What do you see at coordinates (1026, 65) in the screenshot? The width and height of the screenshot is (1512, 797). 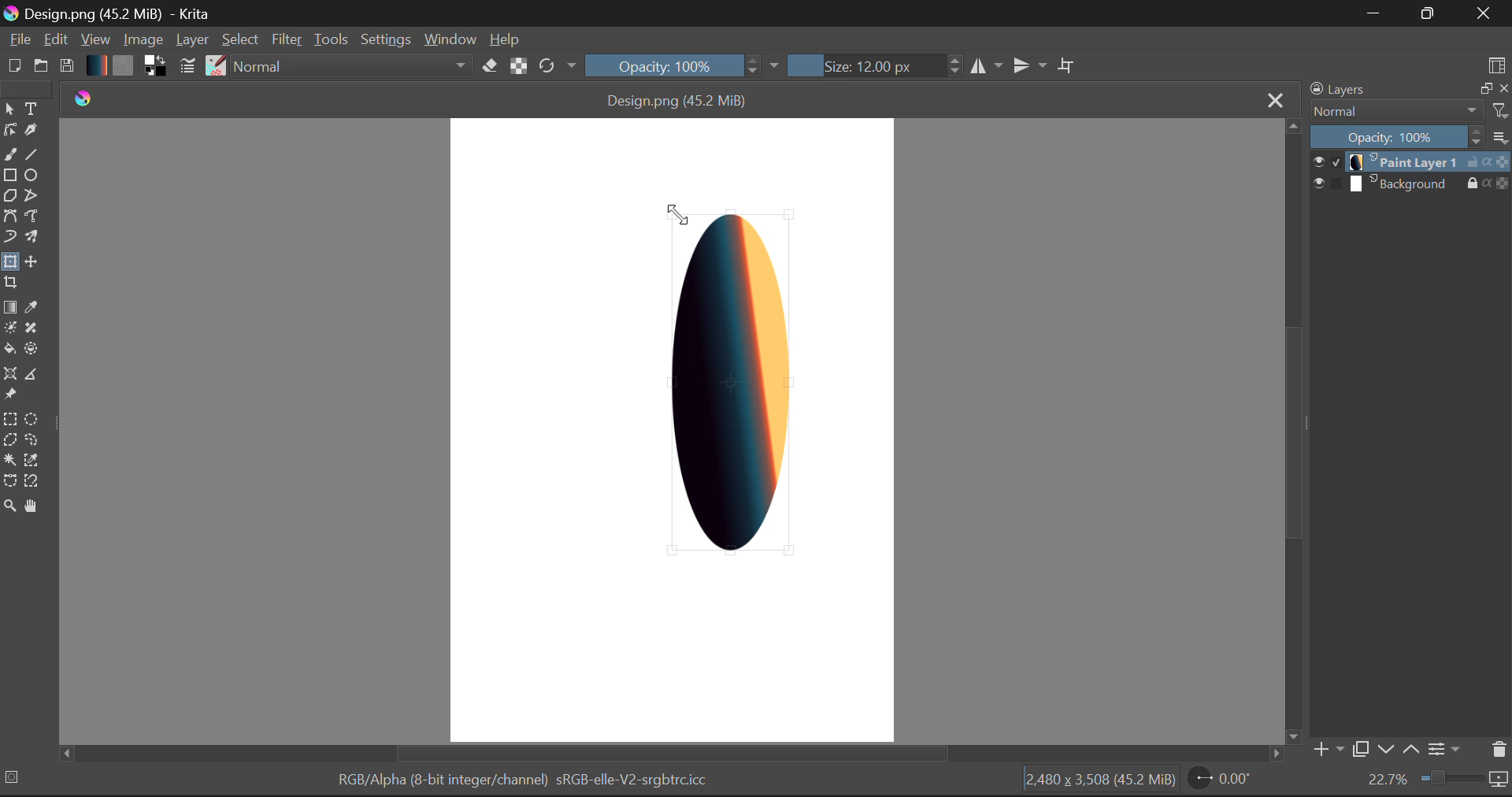 I see `Horizontal Mirror Flip` at bounding box center [1026, 65].